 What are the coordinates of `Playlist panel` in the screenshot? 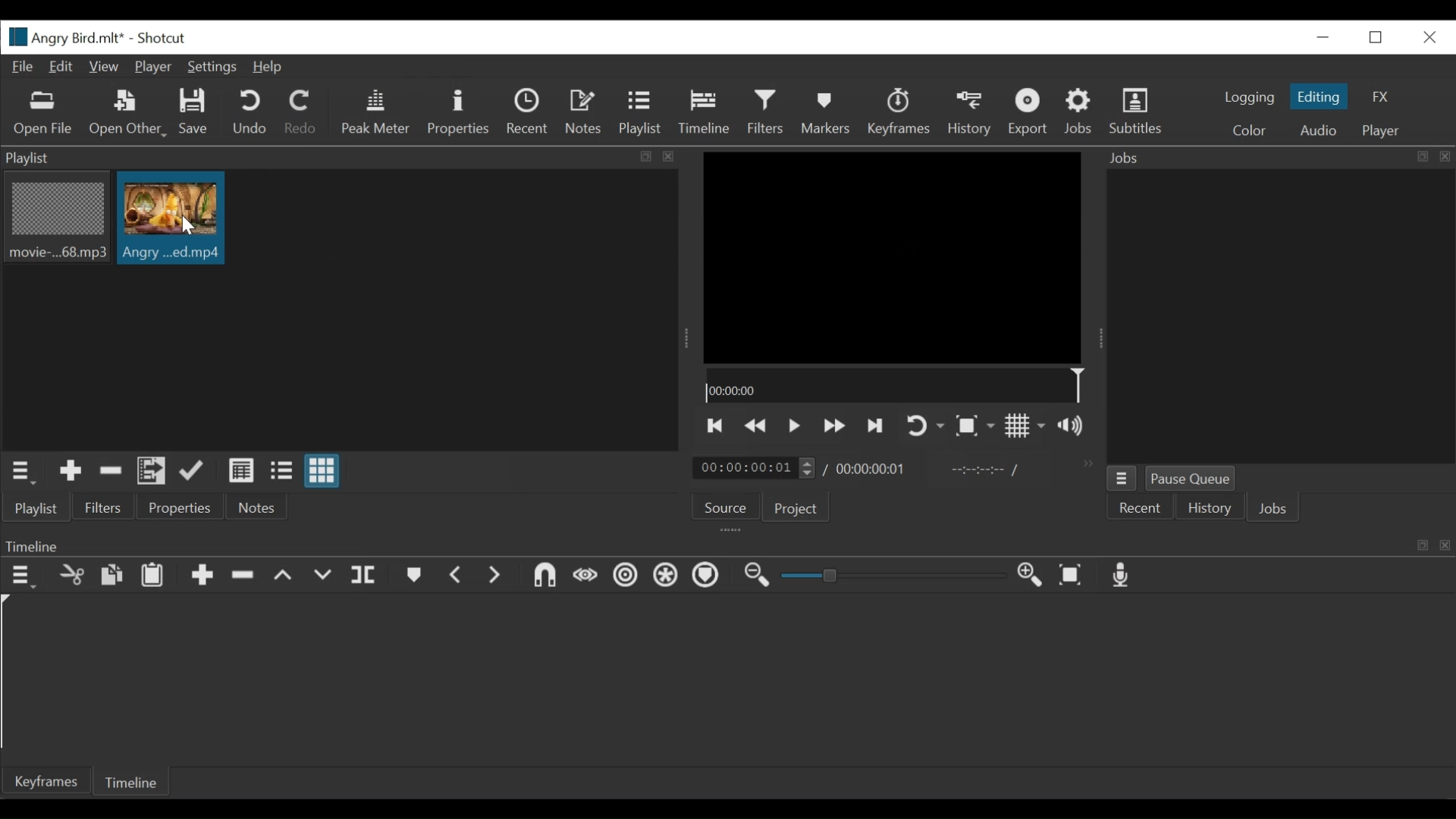 It's located at (342, 158).